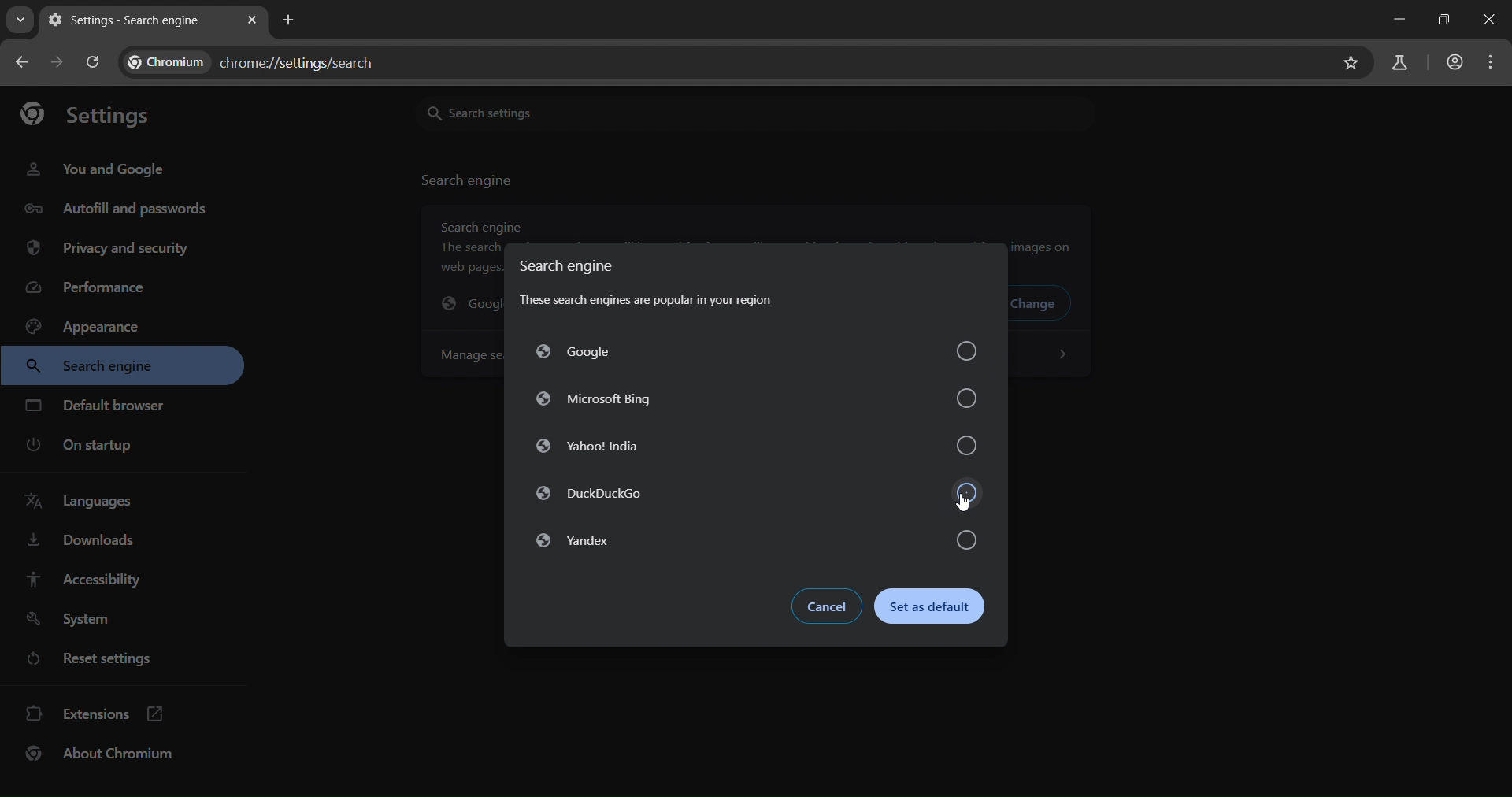 This screenshot has height=797, width=1512. What do you see at coordinates (113, 207) in the screenshot?
I see `autofill & passwords` at bounding box center [113, 207].